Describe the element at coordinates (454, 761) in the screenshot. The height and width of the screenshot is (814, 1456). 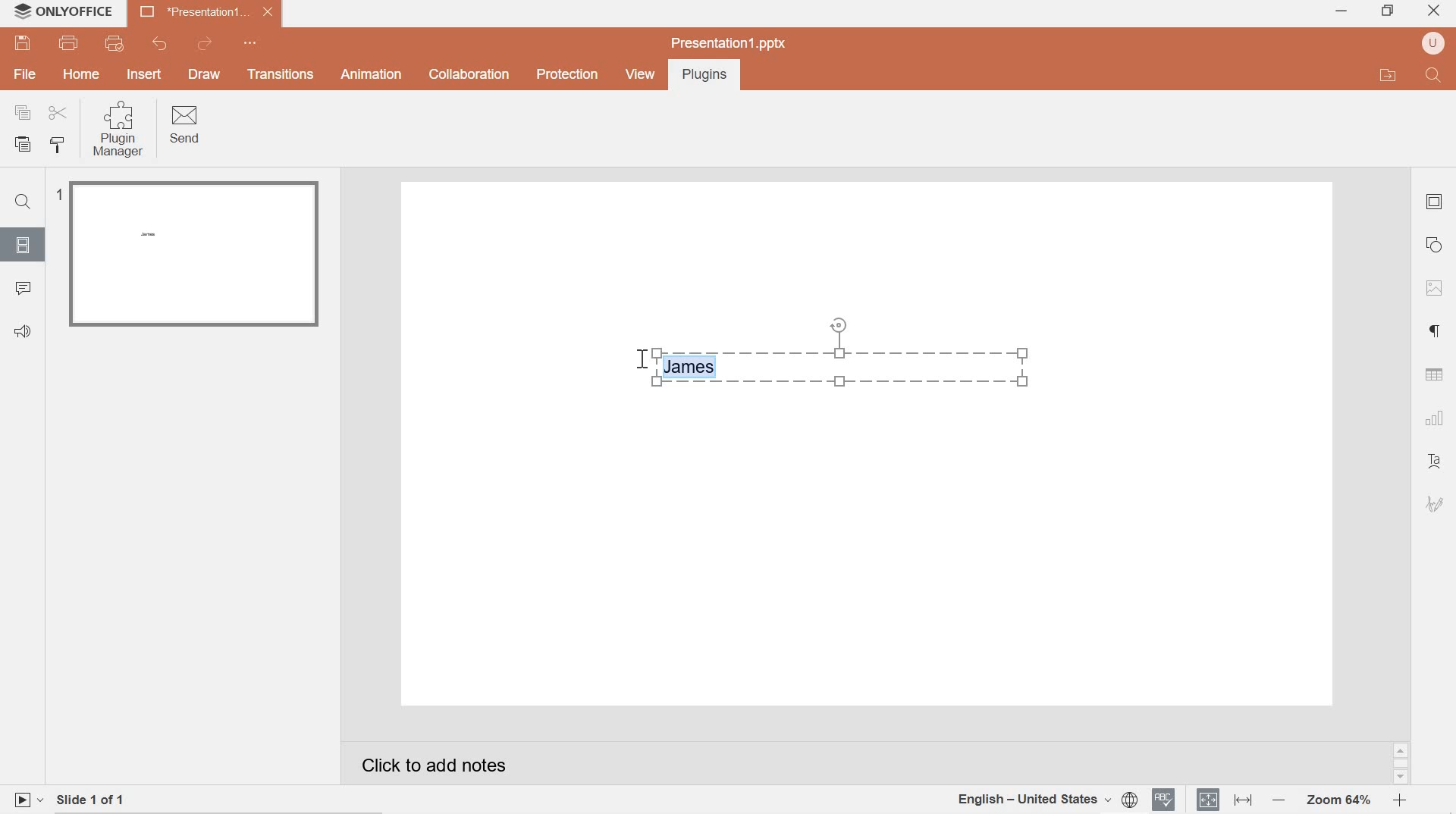
I see `Click to add notes` at that location.